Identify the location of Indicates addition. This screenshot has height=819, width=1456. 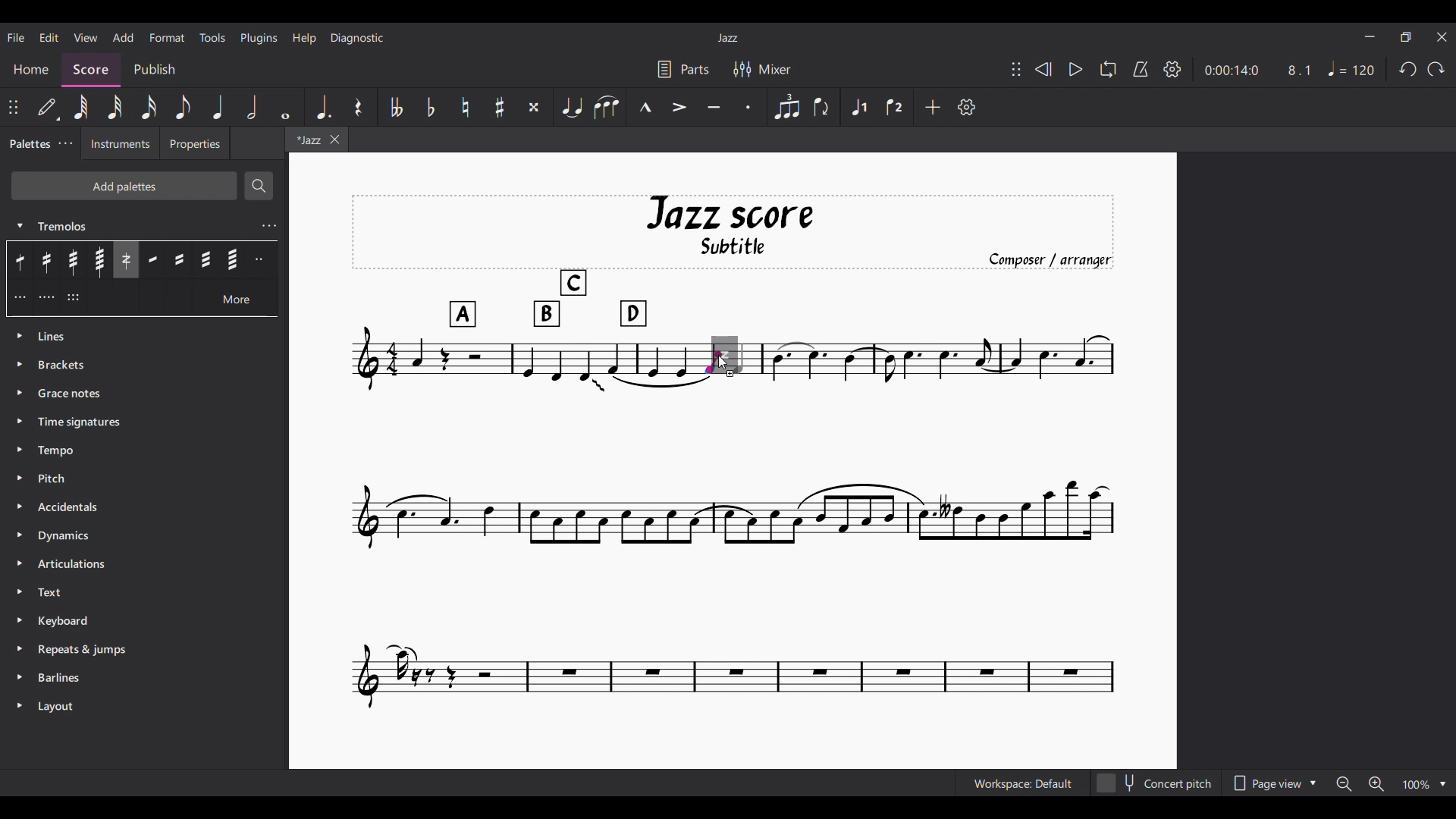
(730, 373).